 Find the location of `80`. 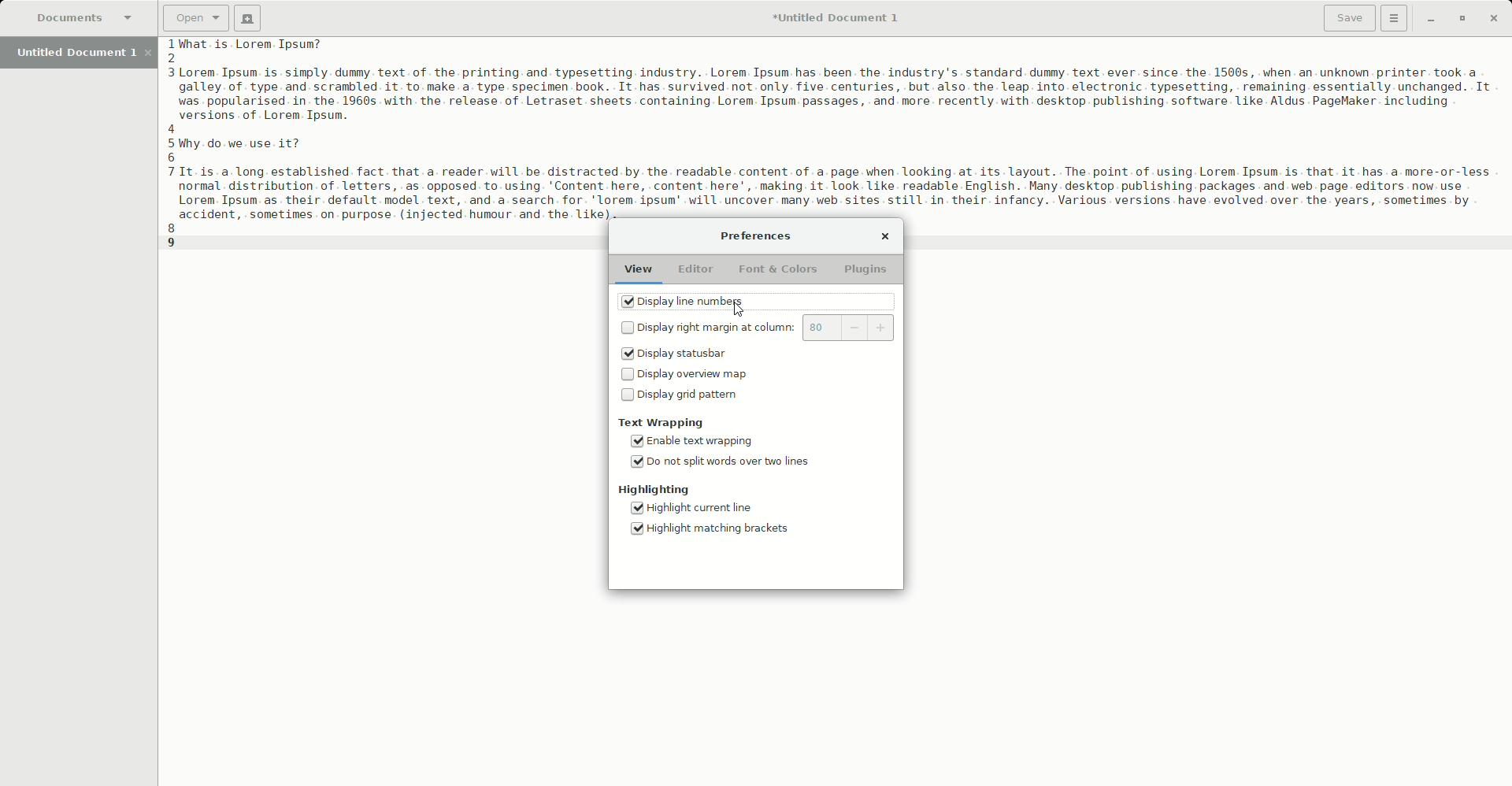

80 is located at coordinates (850, 328).